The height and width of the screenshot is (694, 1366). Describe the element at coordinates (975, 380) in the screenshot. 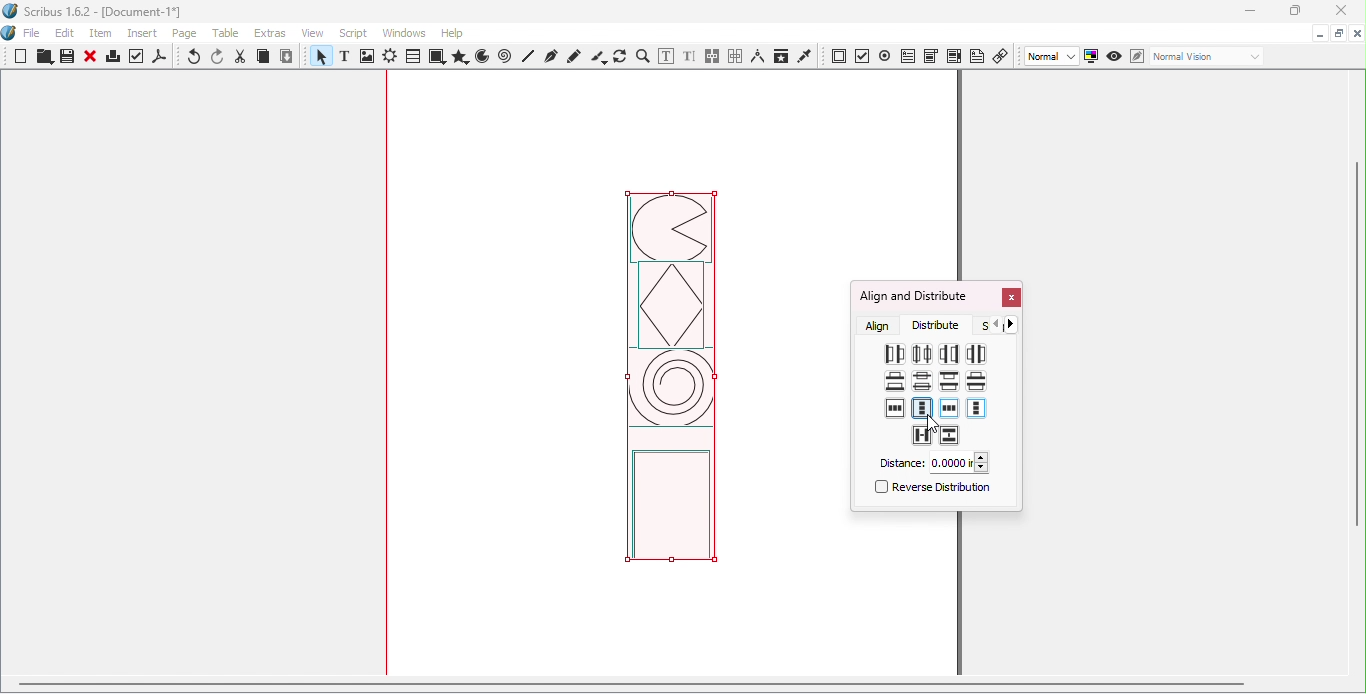

I see `Make vertical gaps between items equal` at that location.